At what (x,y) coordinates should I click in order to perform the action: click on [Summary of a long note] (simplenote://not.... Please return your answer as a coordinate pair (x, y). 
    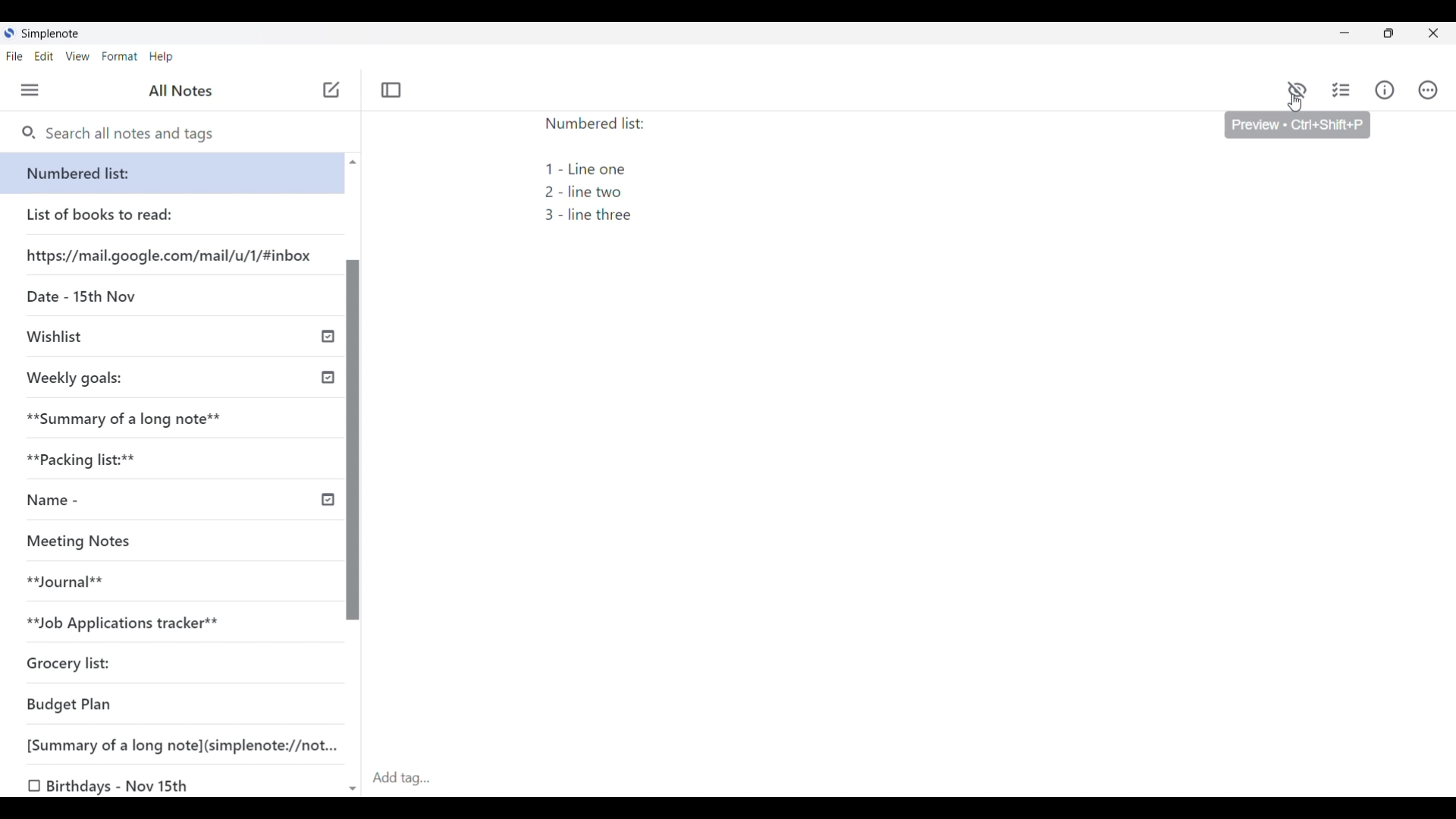
    Looking at the image, I should click on (171, 743).